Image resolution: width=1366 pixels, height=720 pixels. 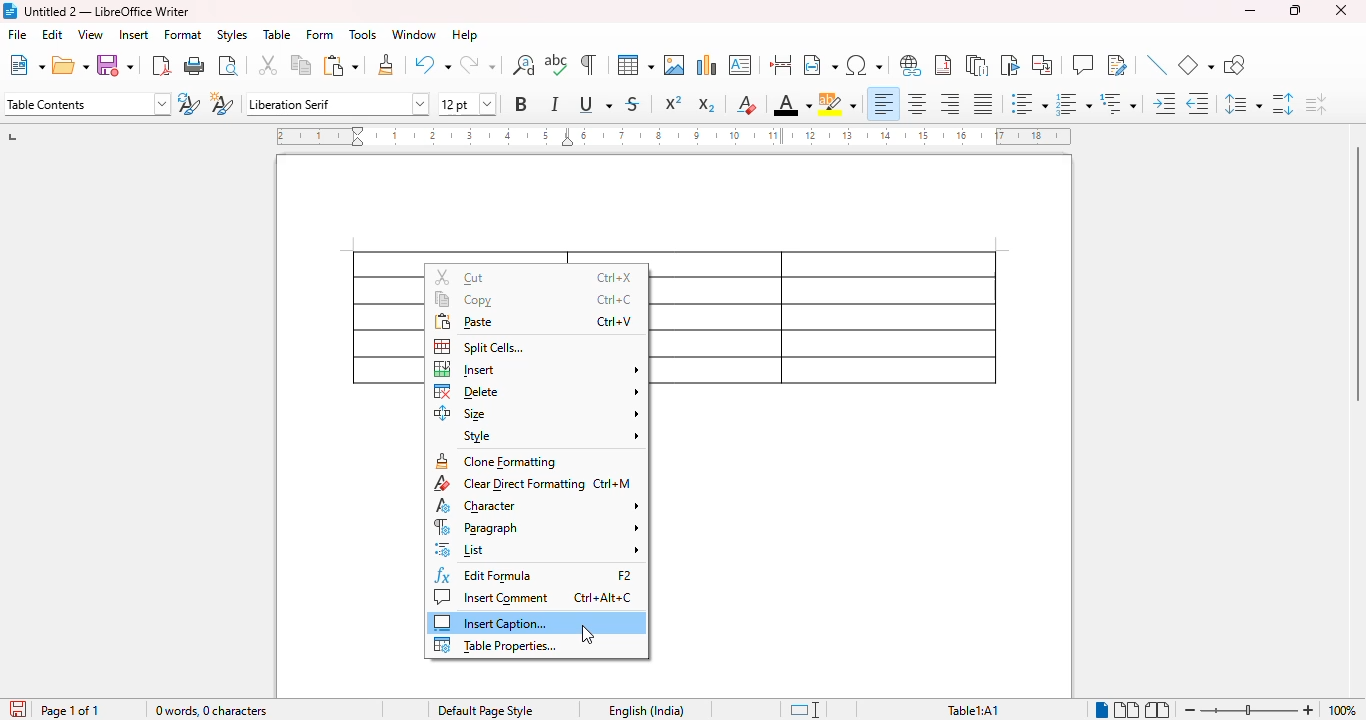 What do you see at coordinates (534, 323) in the screenshot?
I see `paste` at bounding box center [534, 323].